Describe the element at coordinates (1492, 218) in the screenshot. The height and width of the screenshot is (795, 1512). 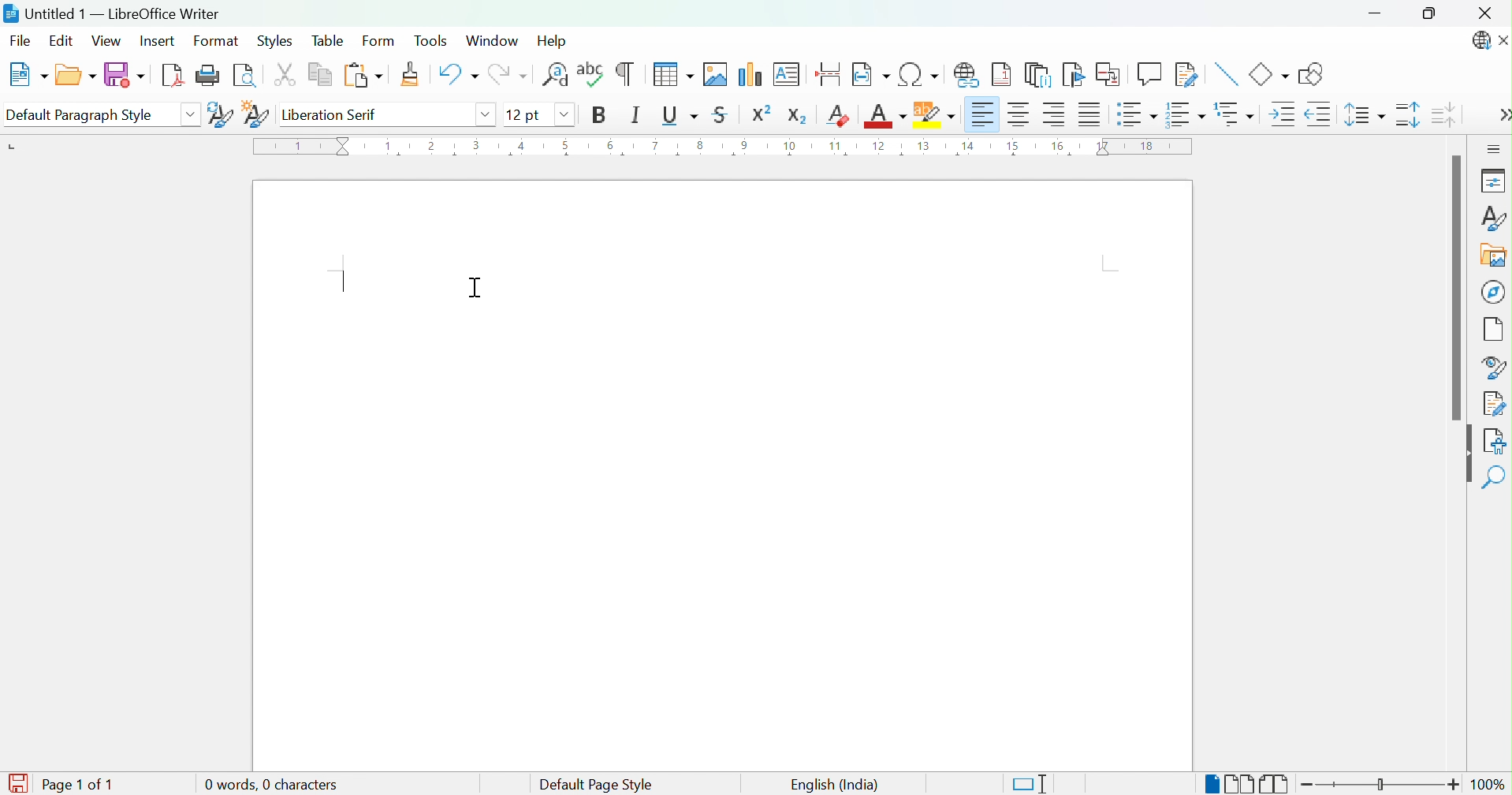
I see `Styles` at that location.